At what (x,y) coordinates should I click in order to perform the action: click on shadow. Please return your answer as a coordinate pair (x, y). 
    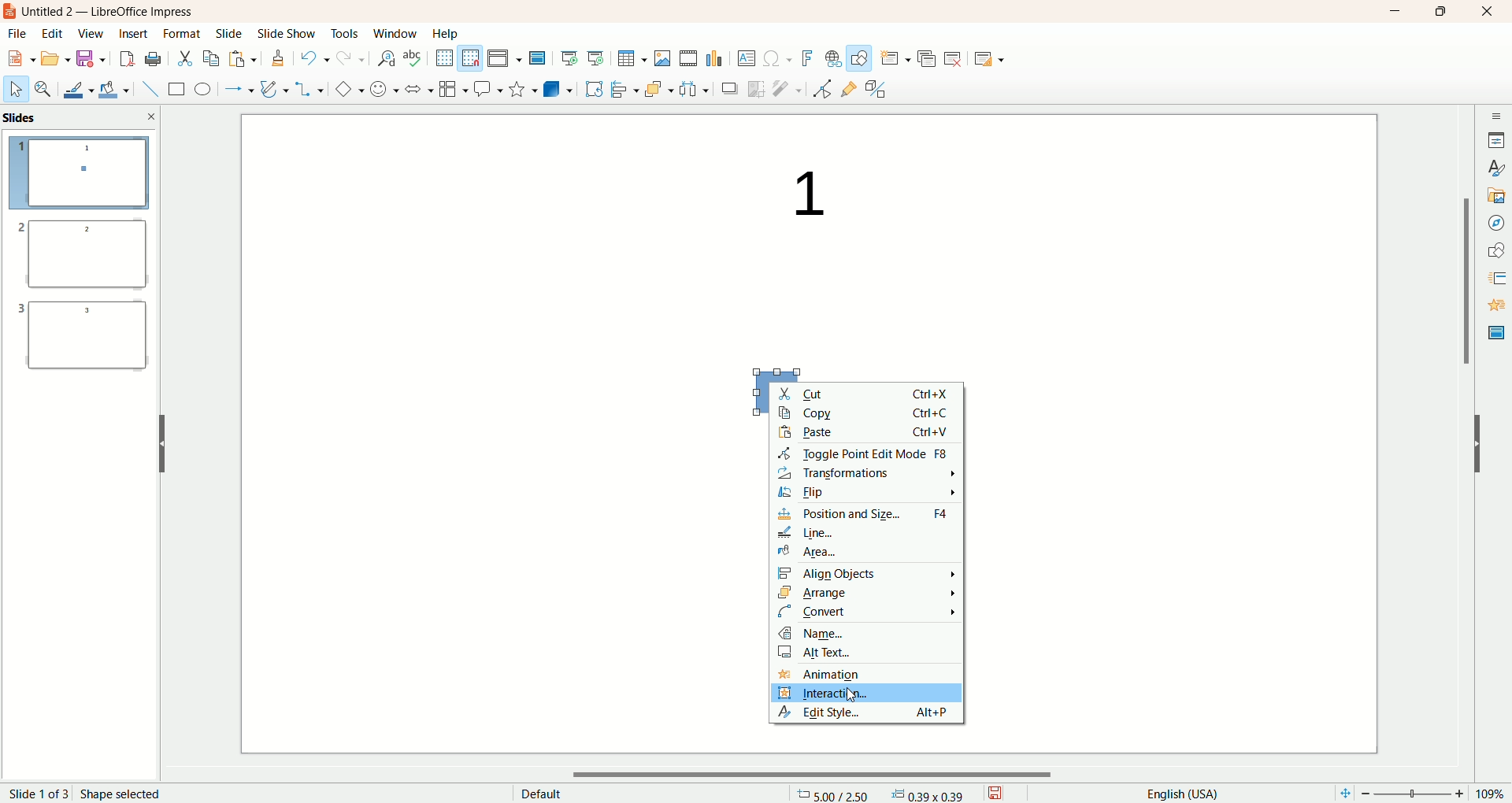
    Looking at the image, I should click on (732, 90).